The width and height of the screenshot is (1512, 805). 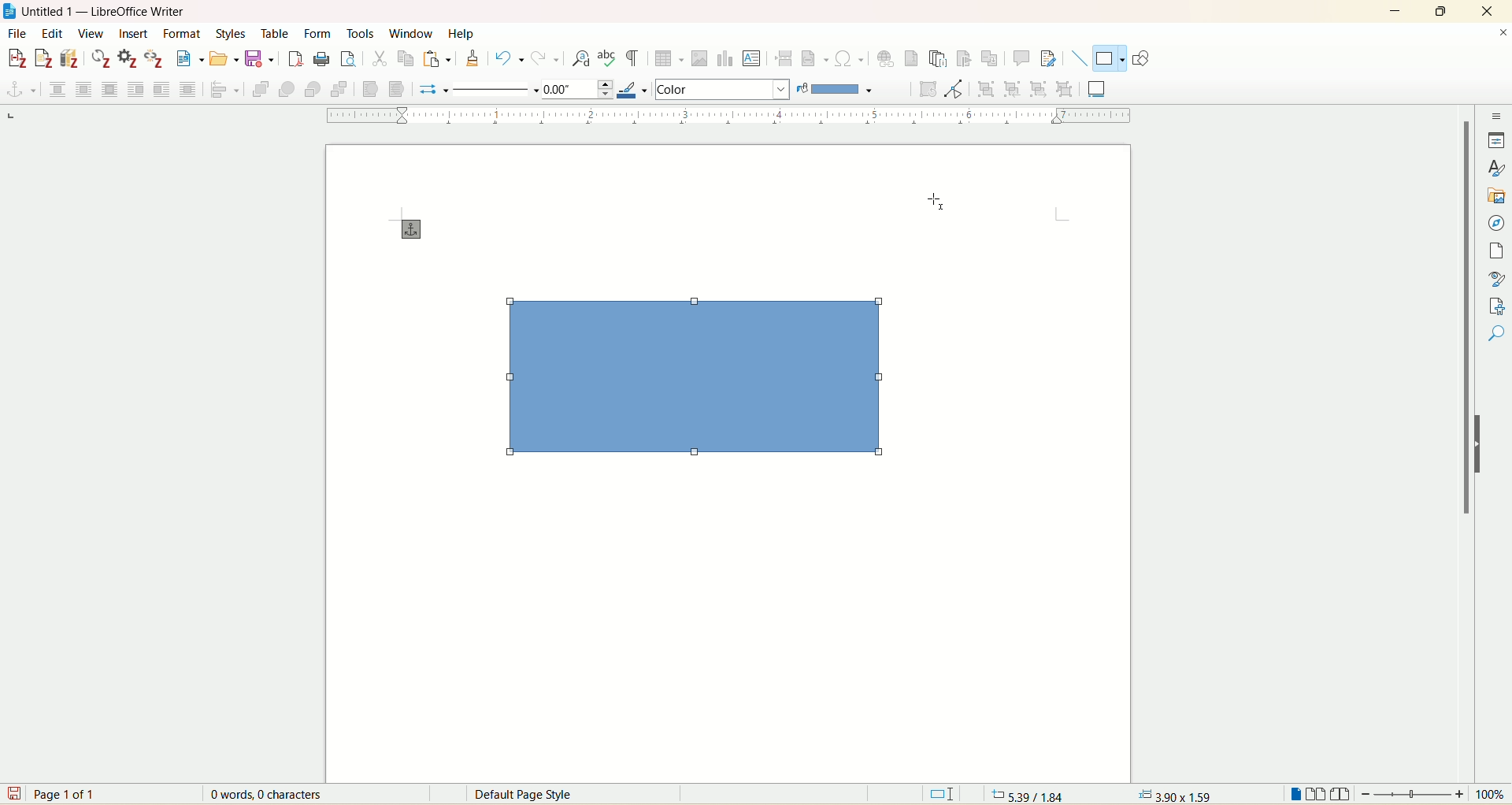 What do you see at coordinates (417, 228) in the screenshot?
I see `cursor` at bounding box center [417, 228].